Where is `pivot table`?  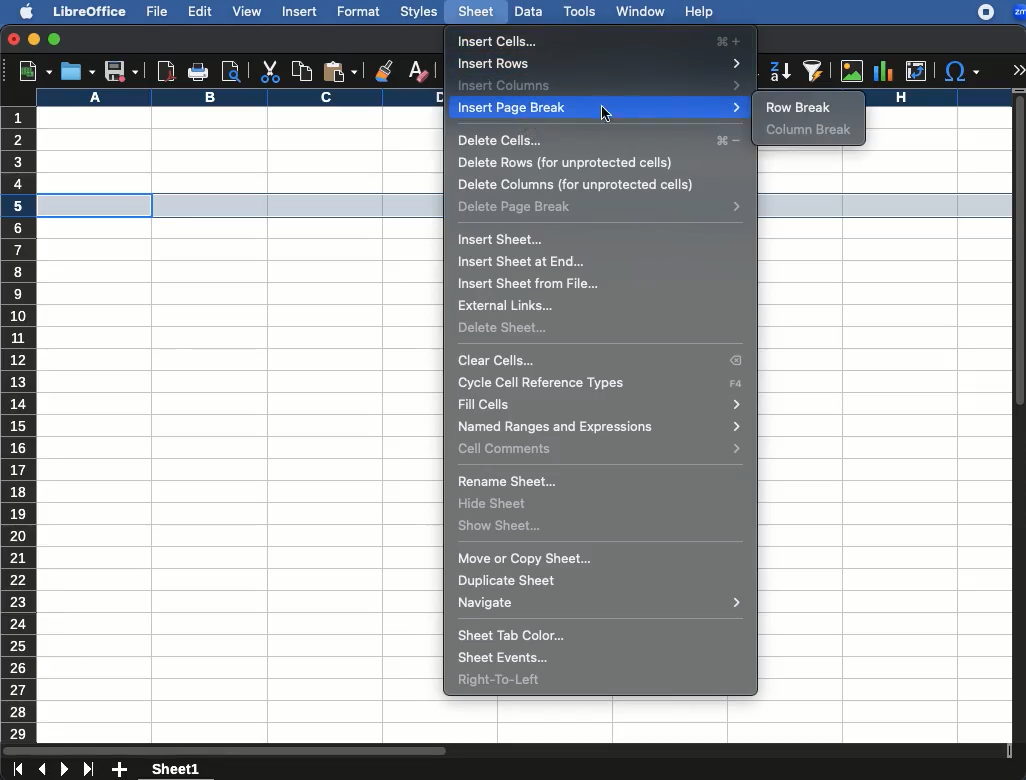 pivot table is located at coordinates (914, 70).